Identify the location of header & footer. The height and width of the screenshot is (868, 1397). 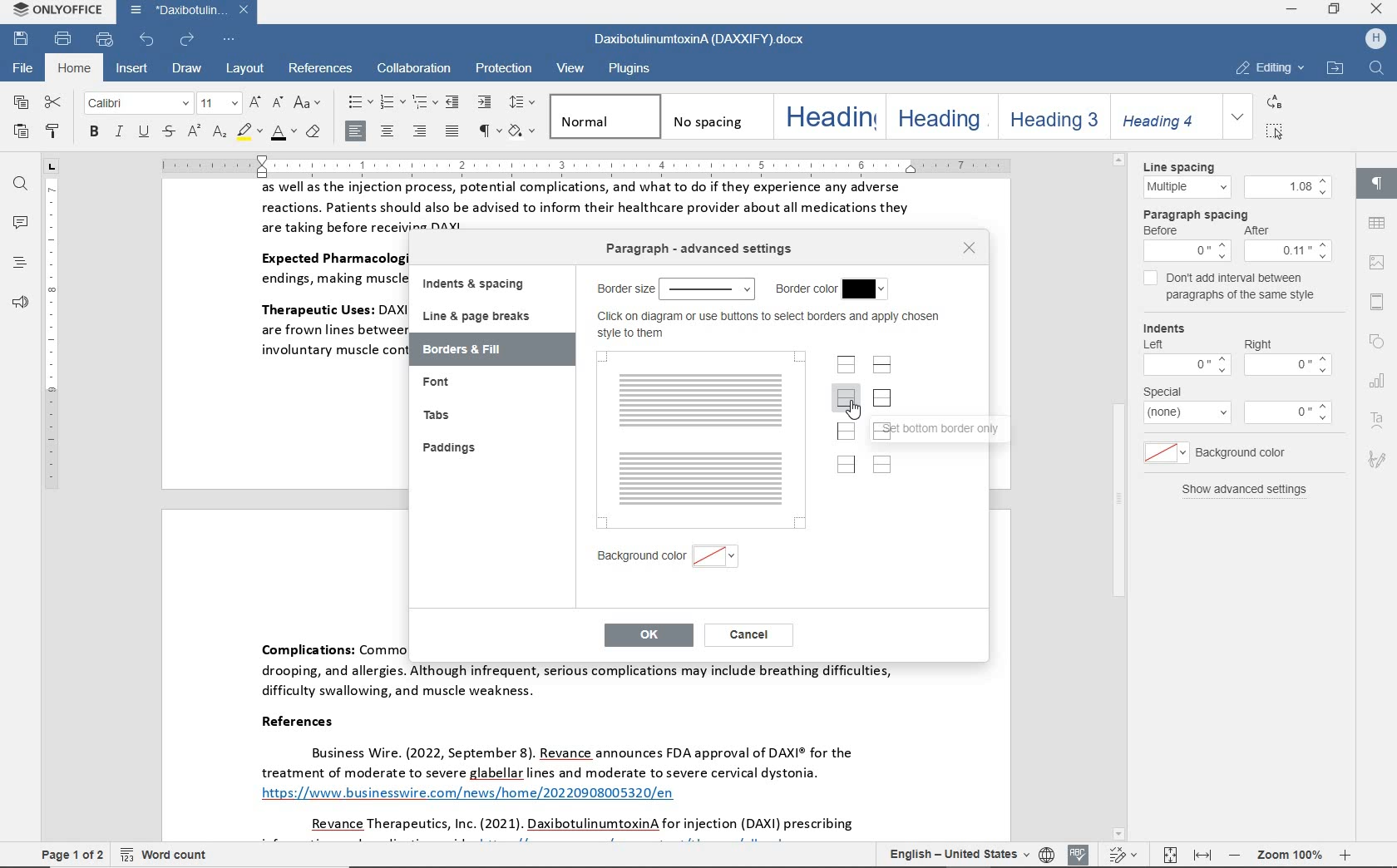
(1376, 302).